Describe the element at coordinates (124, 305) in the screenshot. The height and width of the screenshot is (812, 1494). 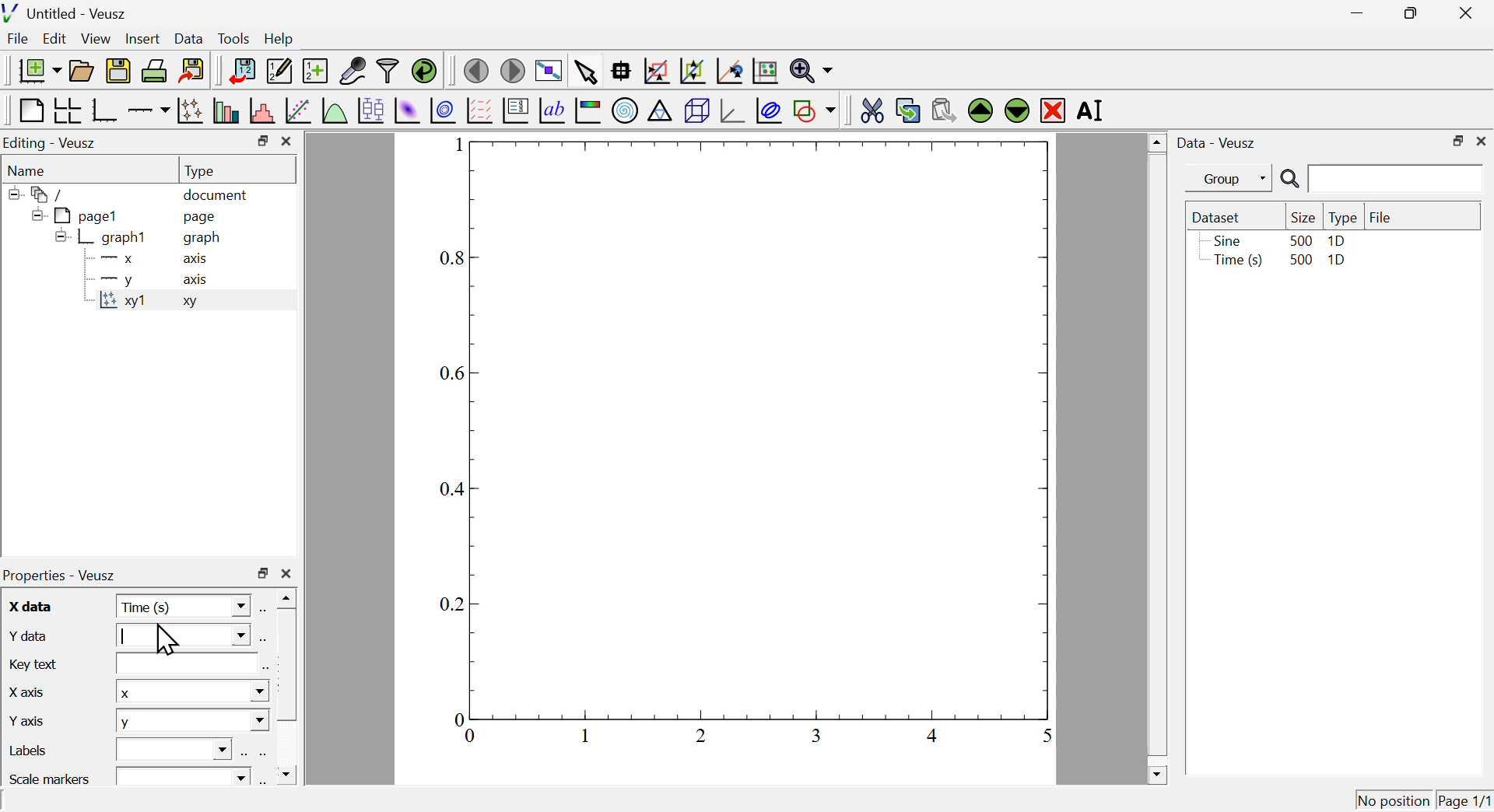
I see `xy1` at that location.